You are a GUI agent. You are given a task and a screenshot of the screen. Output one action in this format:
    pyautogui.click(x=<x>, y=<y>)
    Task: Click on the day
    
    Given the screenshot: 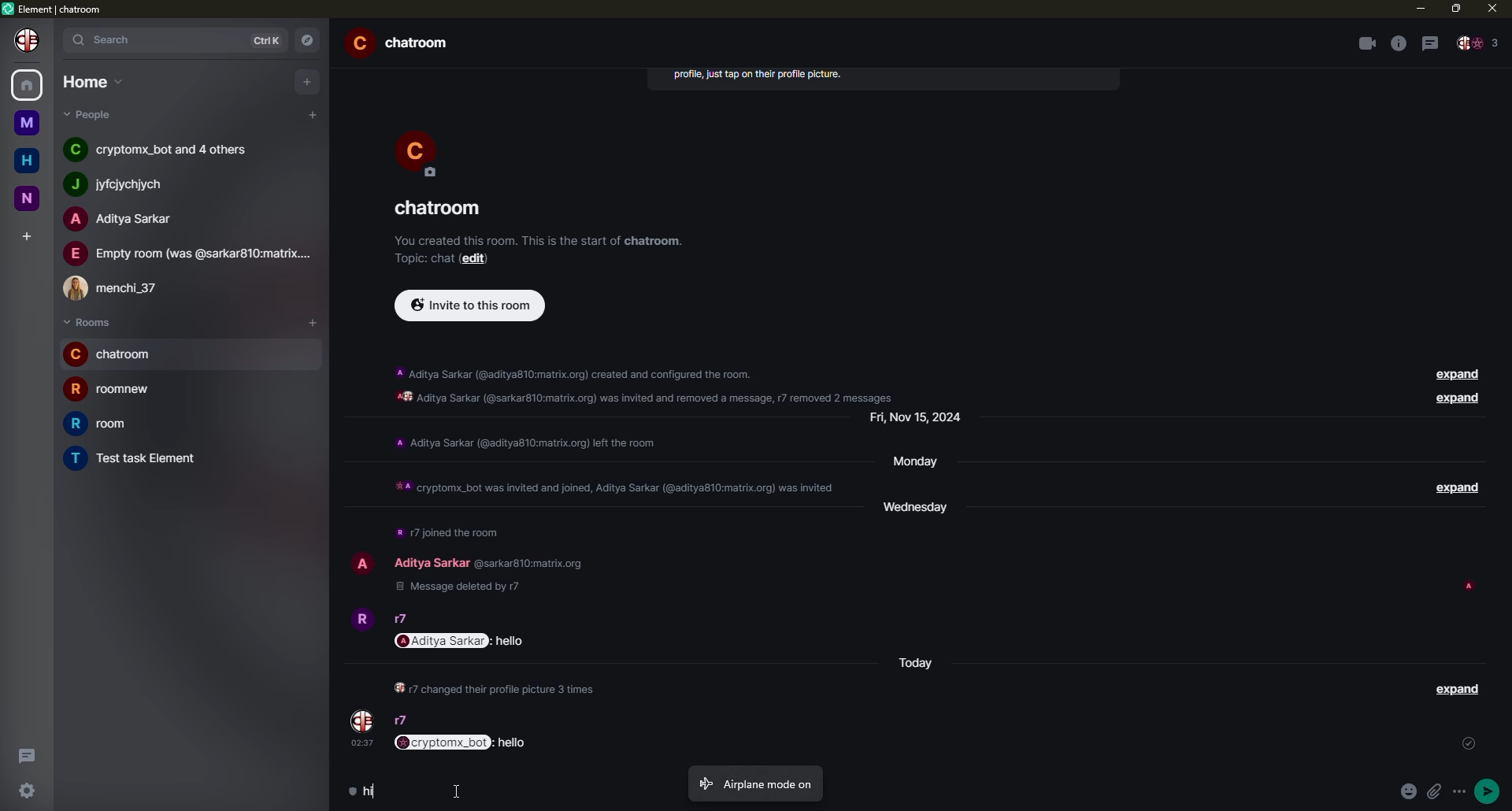 What is the action you would take?
    pyautogui.click(x=917, y=464)
    